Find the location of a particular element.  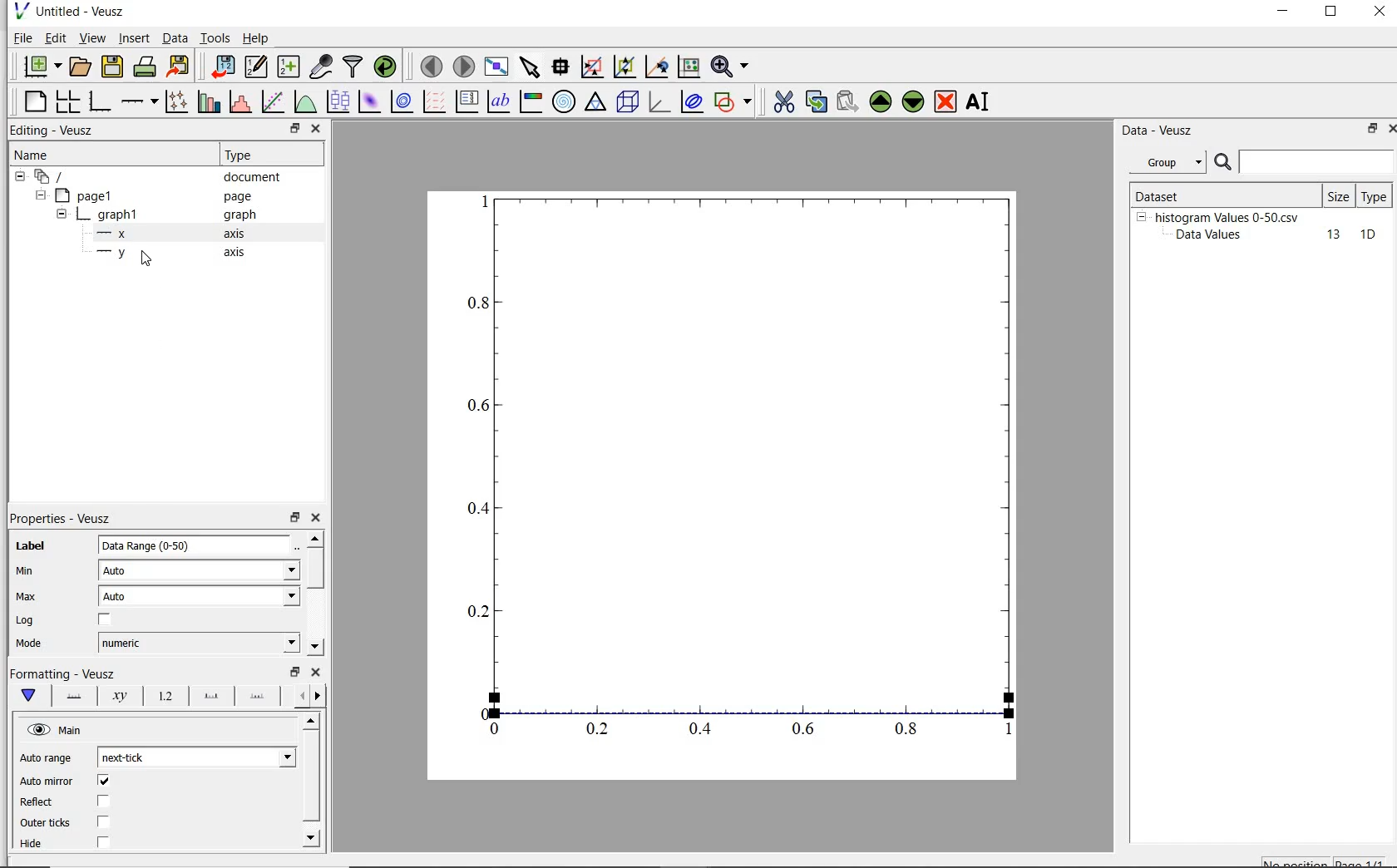

checkbox is located at coordinates (103, 801).